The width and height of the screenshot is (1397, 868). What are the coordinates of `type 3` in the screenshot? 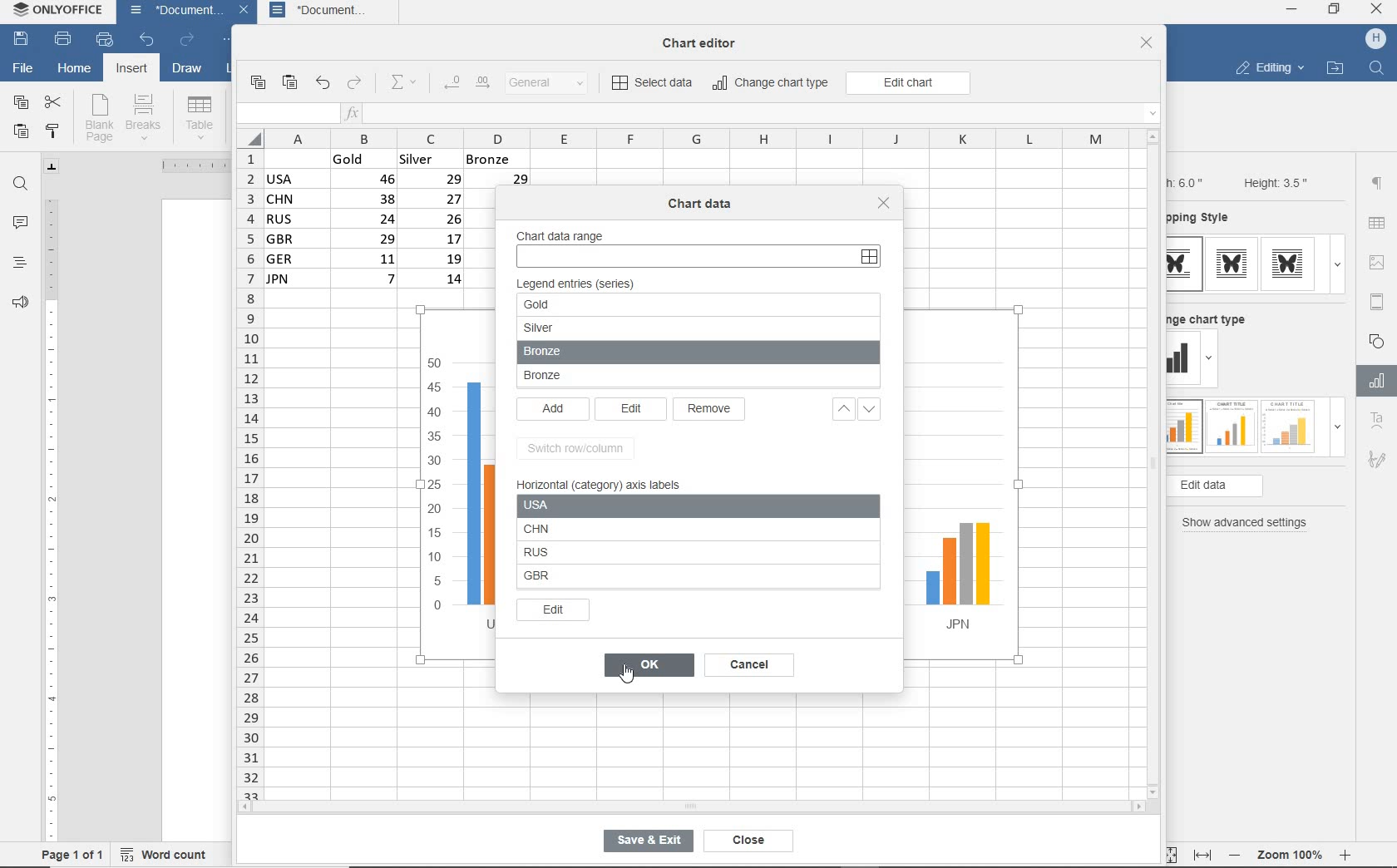 It's located at (1292, 264).